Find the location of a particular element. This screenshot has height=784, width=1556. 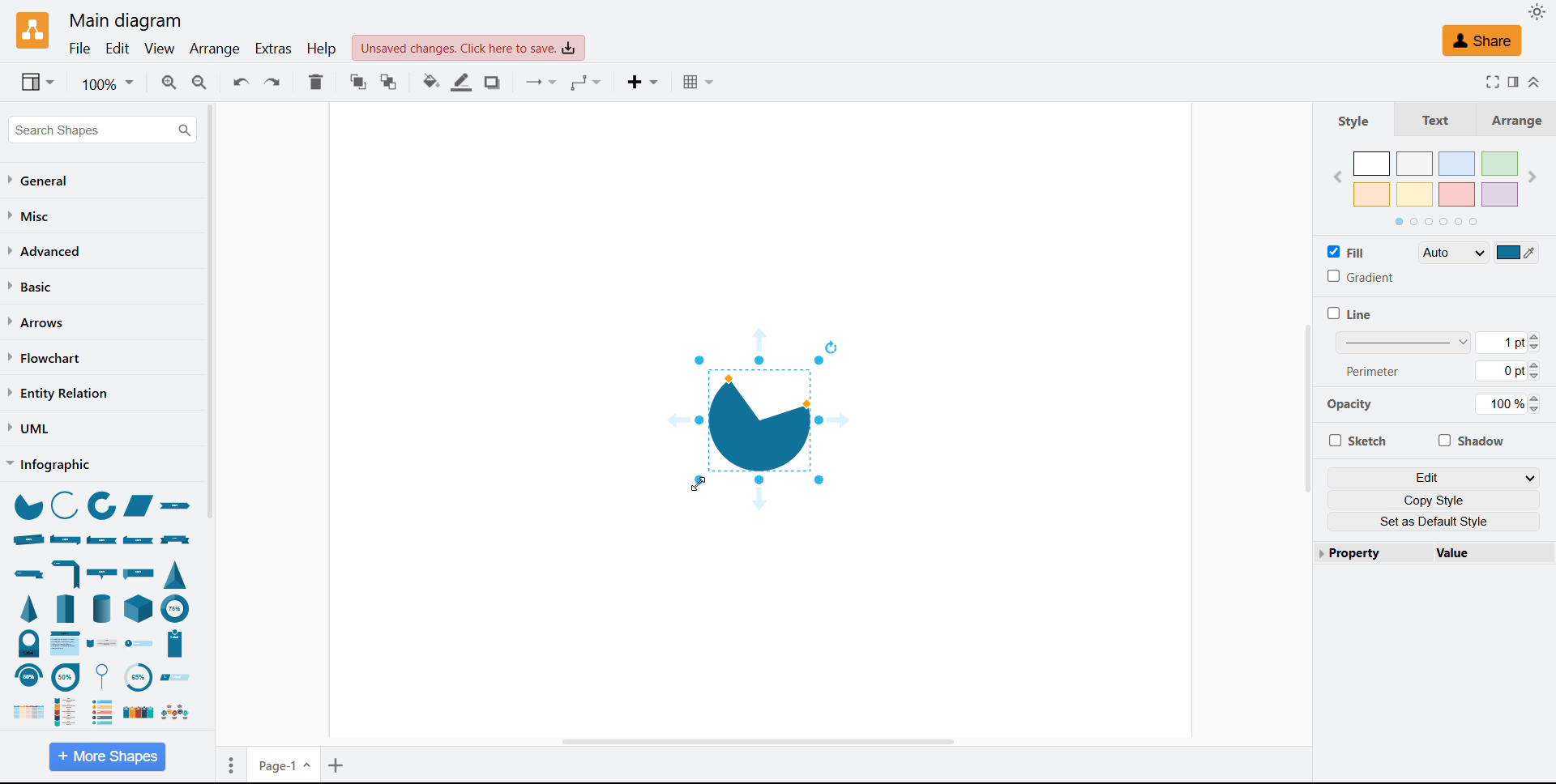

ribbon front fold is located at coordinates (103, 540).